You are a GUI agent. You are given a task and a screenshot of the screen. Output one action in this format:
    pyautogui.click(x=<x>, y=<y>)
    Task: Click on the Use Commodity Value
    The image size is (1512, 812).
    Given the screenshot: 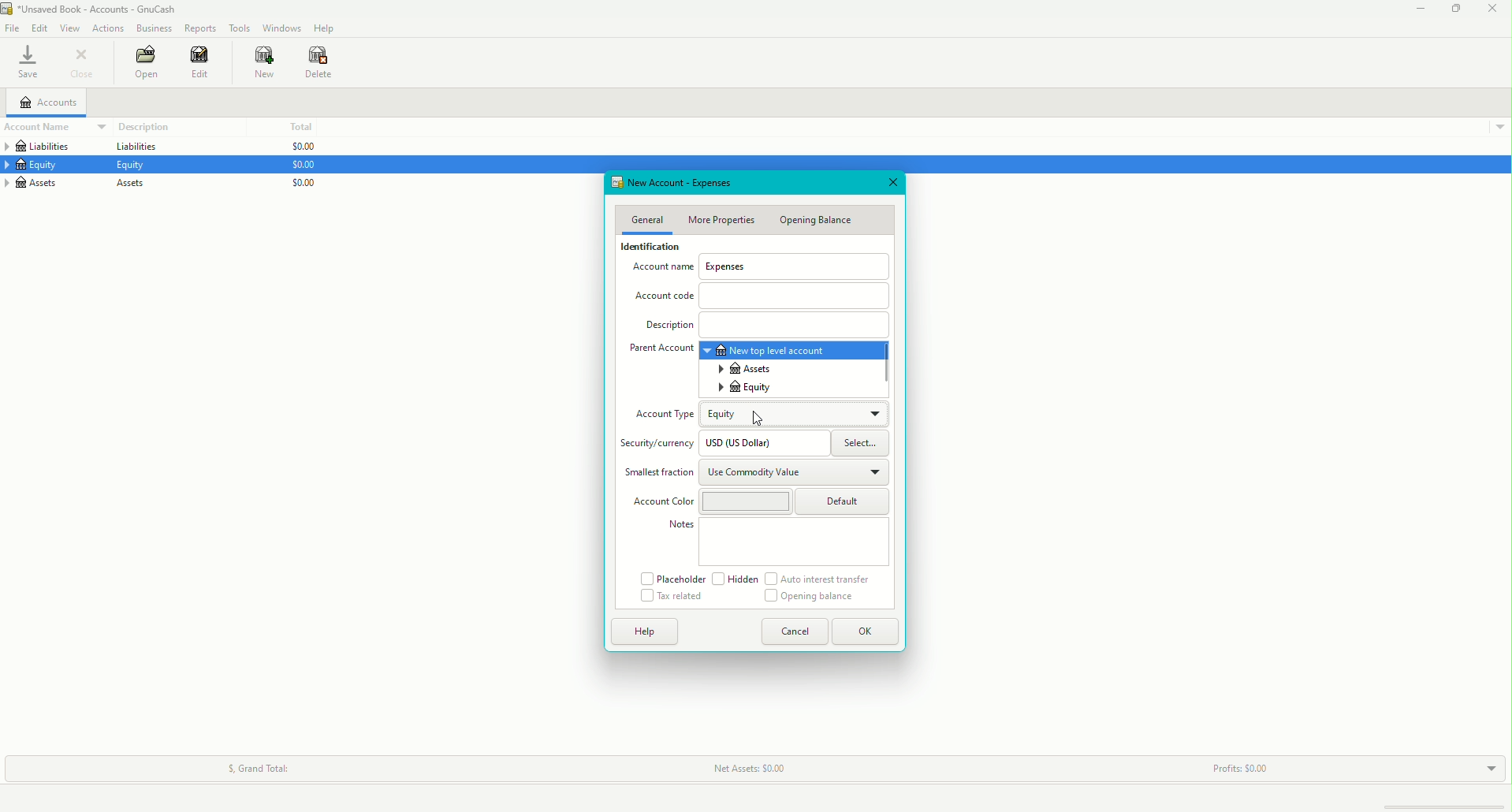 What is the action you would take?
    pyautogui.click(x=795, y=473)
    